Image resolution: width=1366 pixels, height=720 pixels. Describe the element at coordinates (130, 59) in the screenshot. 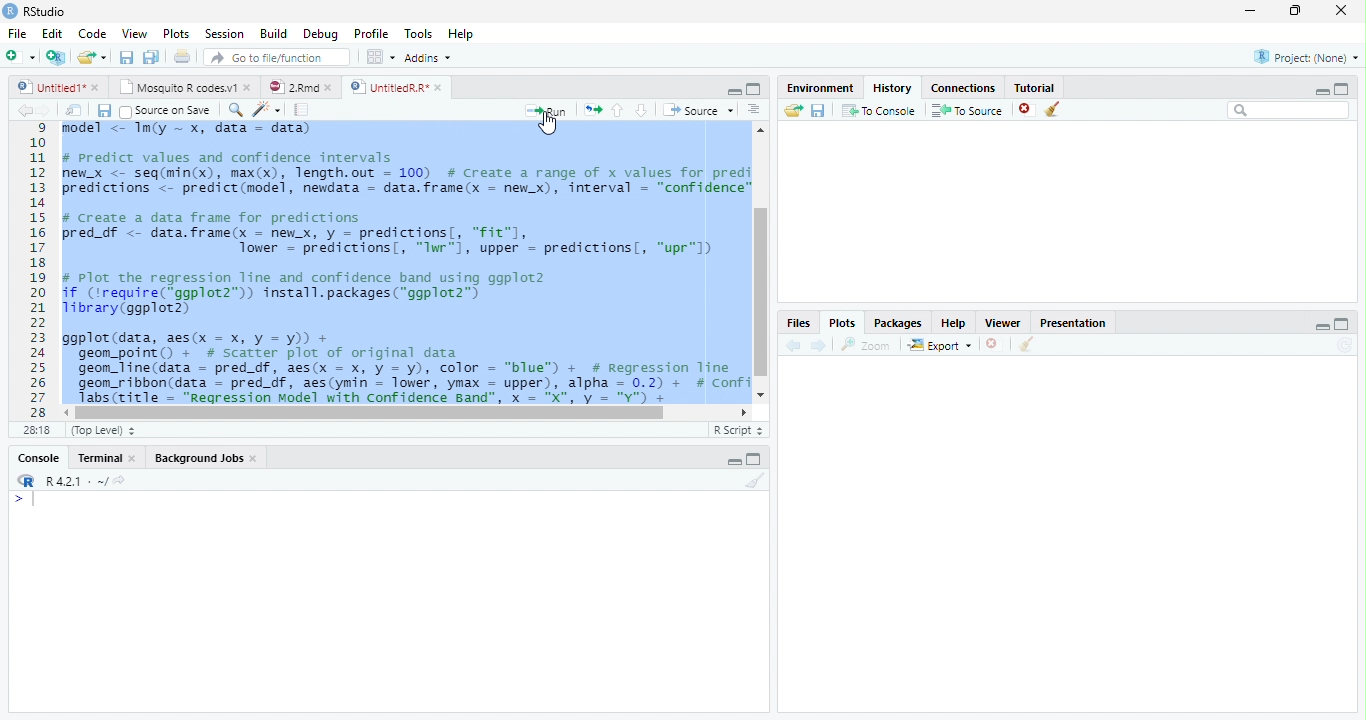

I see `Save ` at that location.